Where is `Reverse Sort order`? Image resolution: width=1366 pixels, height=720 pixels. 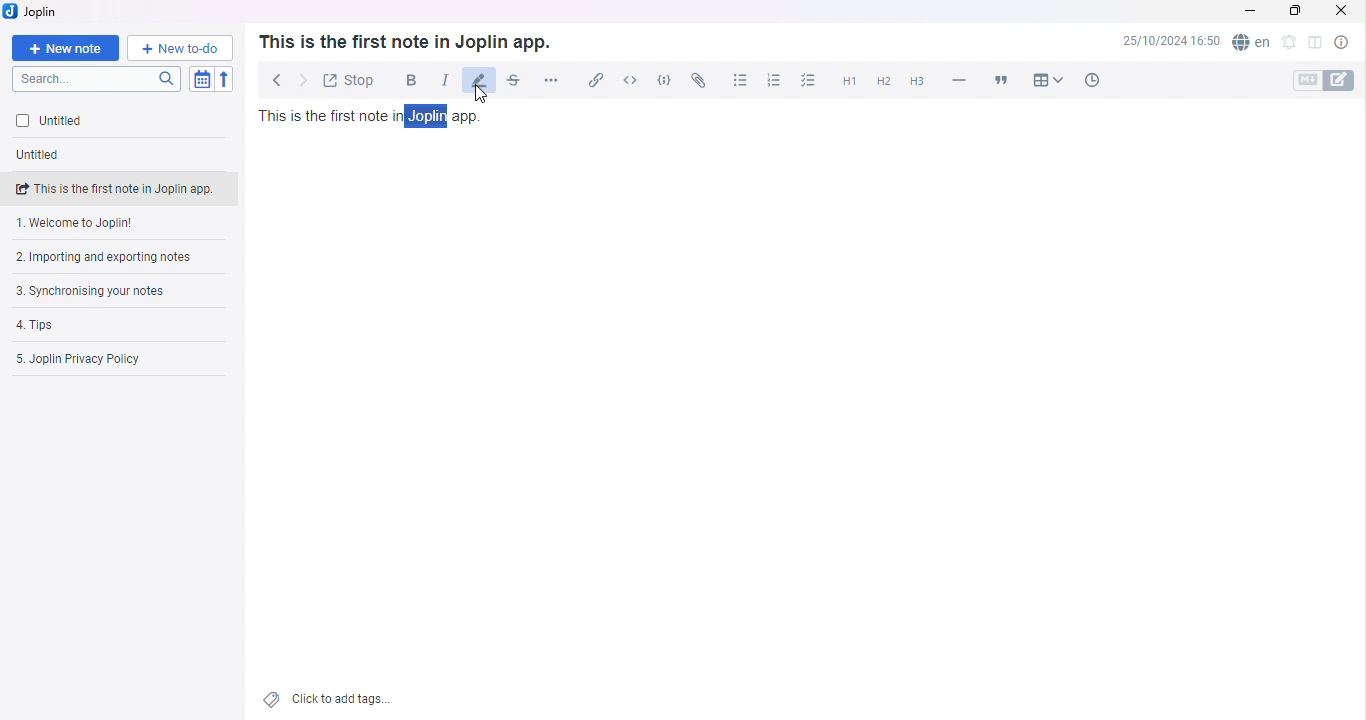 Reverse Sort order is located at coordinates (225, 80).